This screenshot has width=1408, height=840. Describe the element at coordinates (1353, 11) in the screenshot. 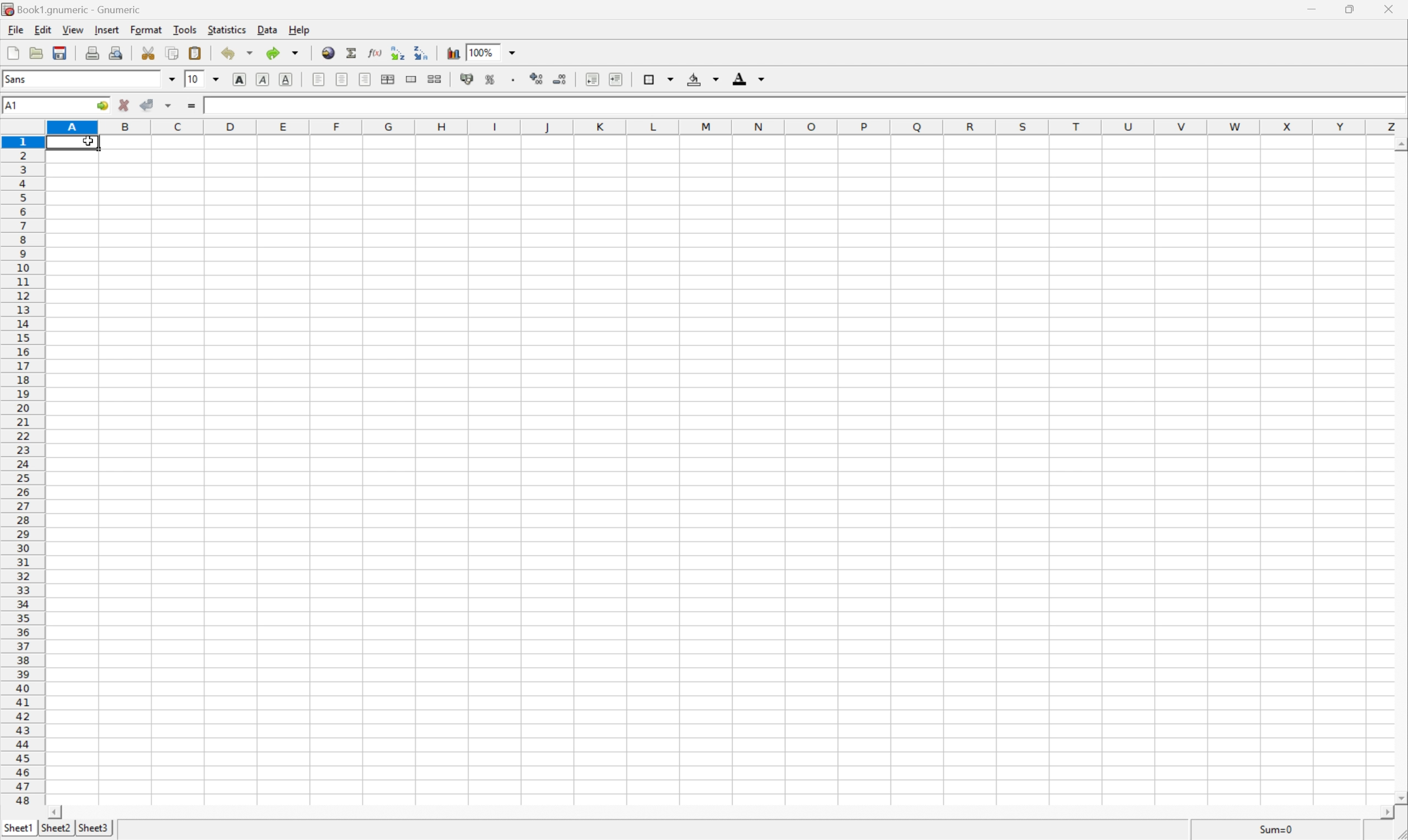

I see `restore down` at that location.